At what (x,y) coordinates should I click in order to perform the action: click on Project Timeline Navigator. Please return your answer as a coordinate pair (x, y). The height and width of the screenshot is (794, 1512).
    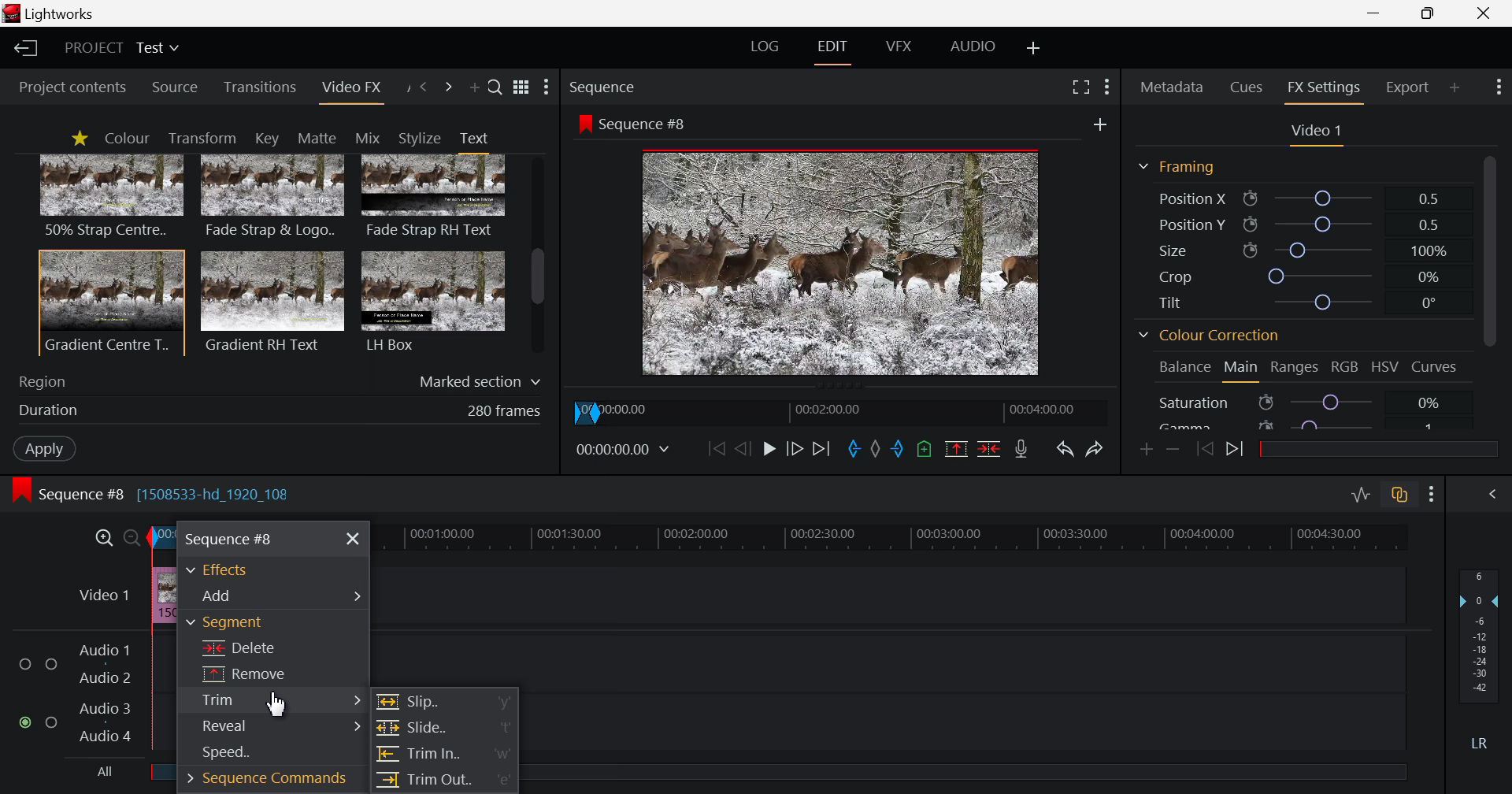
    Looking at the image, I should click on (845, 409).